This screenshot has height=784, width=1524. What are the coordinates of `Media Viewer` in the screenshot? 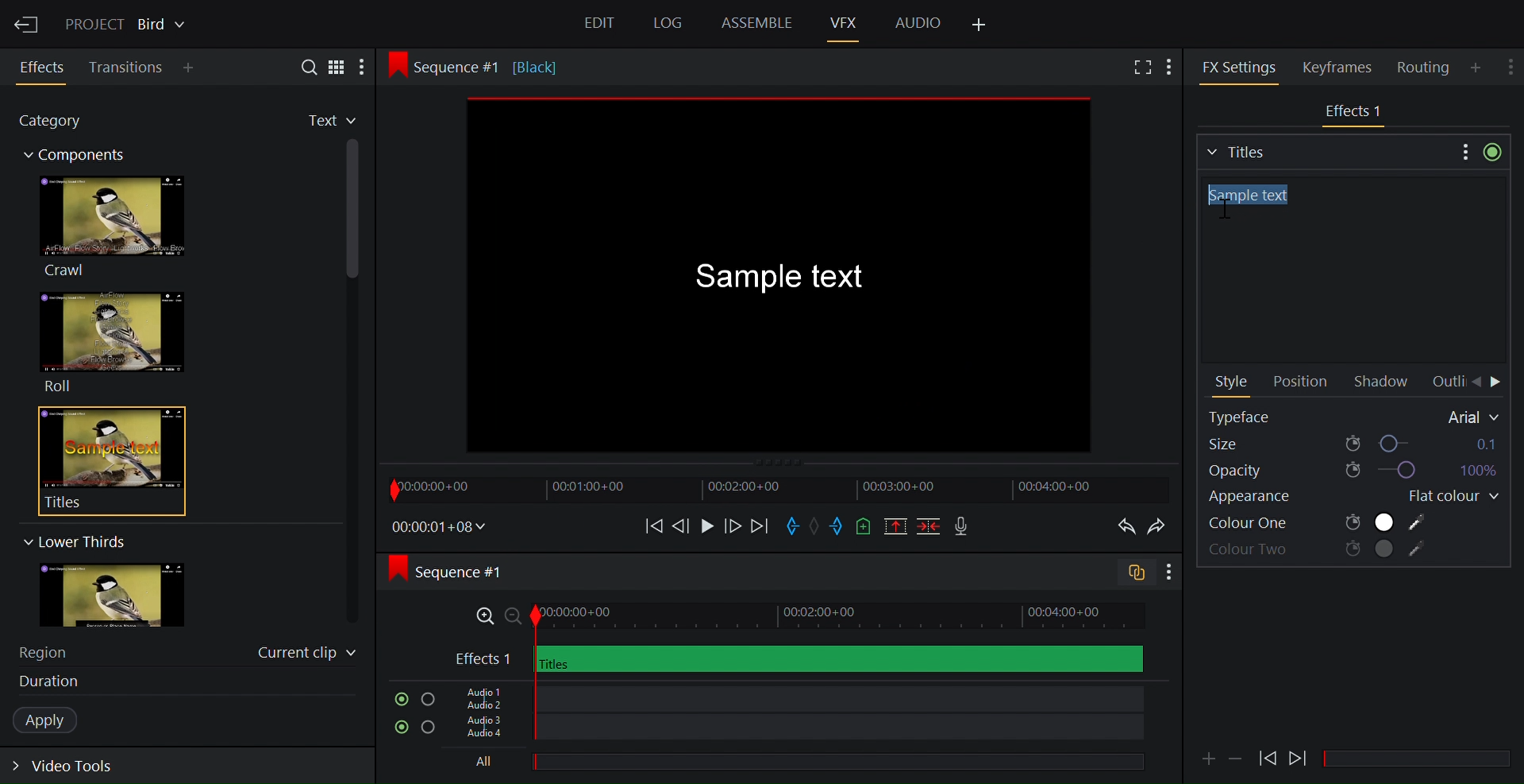 It's located at (783, 278).